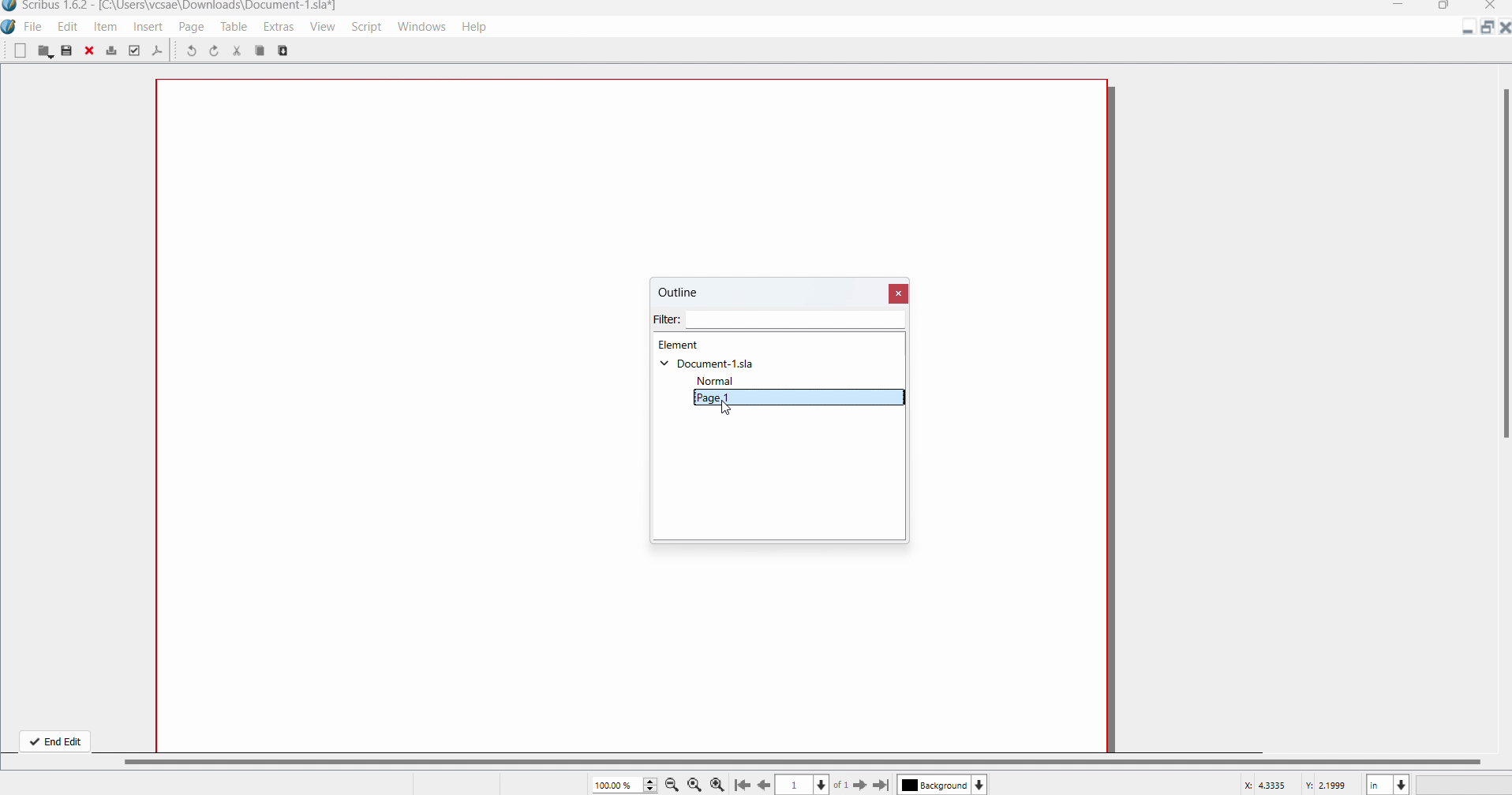 Image resolution: width=1512 pixels, height=795 pixels. Describe the element at coordinates (68, 50) in the screenshot. I see `` at that location.